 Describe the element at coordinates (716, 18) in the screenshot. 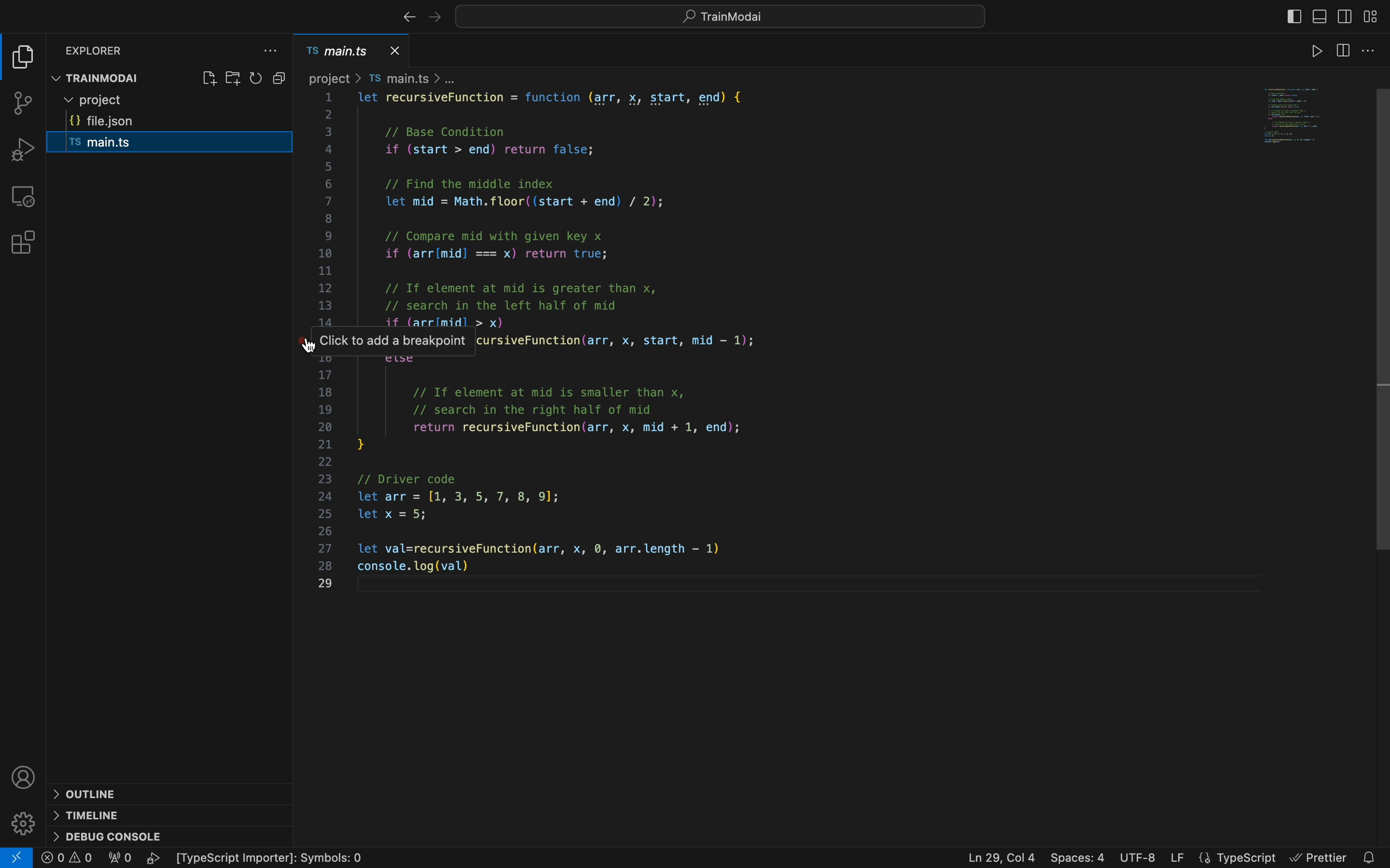

I see `quick menu` at that location.